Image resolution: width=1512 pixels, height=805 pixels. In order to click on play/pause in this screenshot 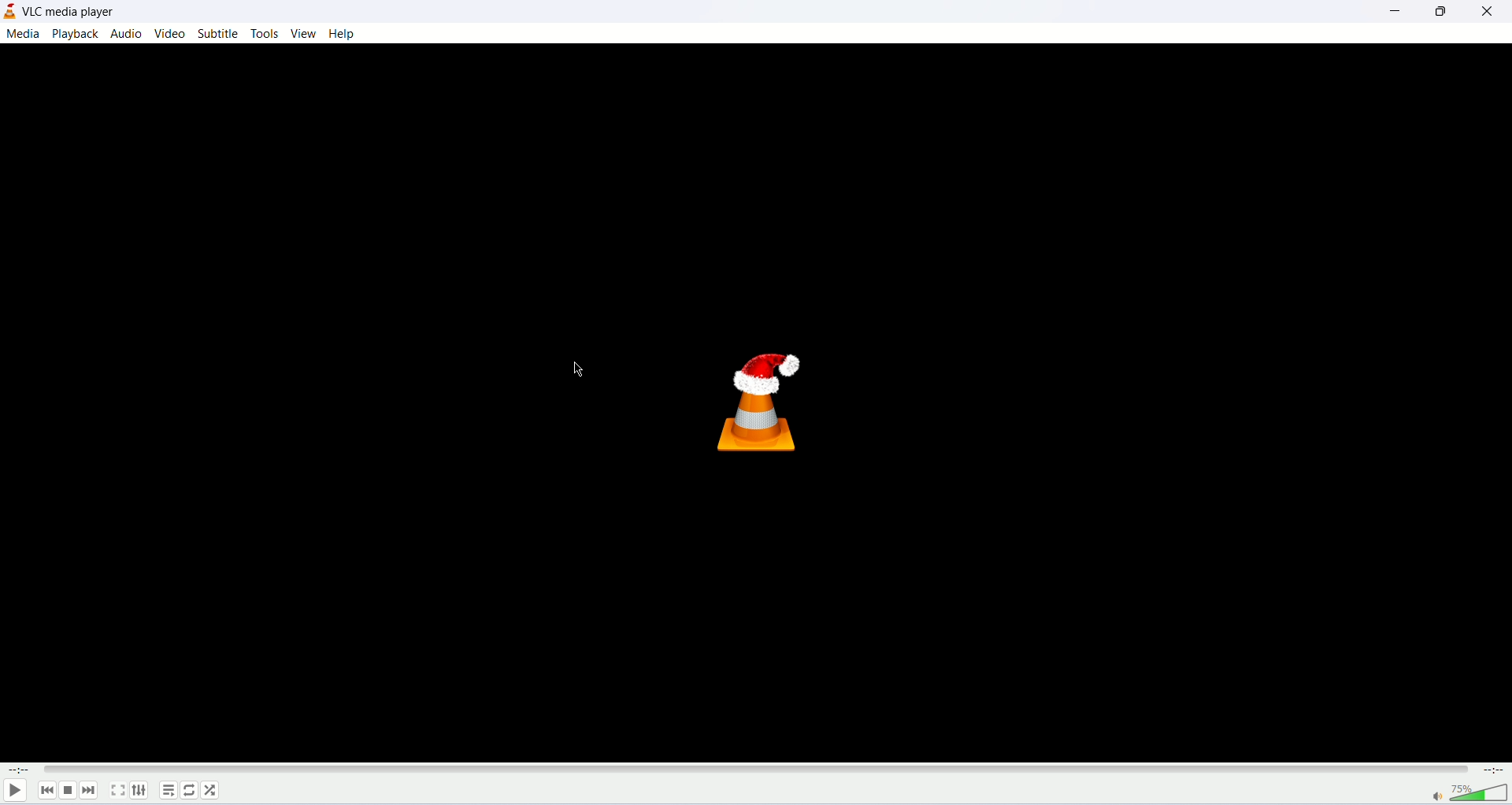, I will do `click(15, 793)`.